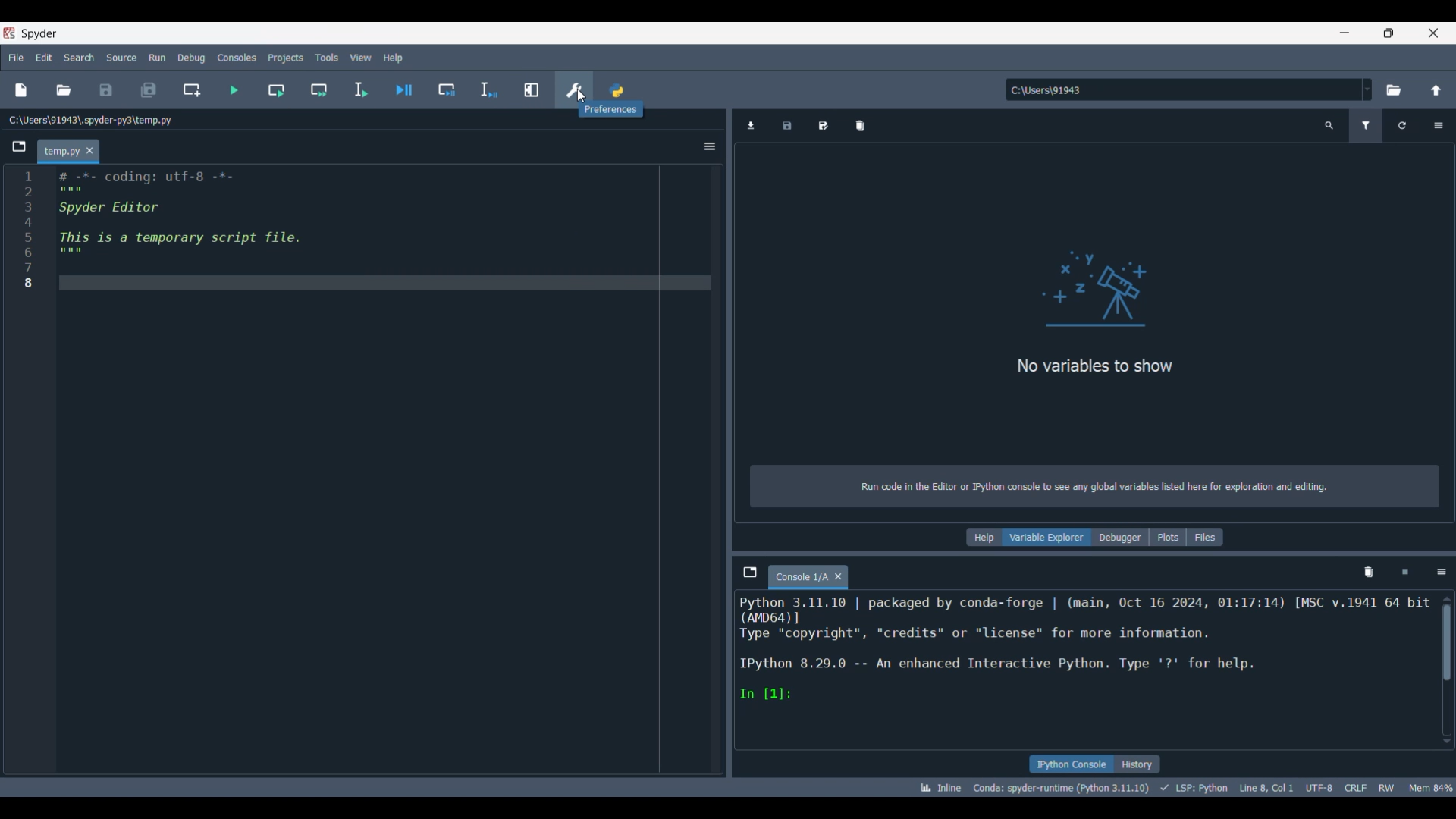 The height and width of the screenshot is (819, 1456). What do you see at coordinates (710, 147) in the screenshot?
I see `Options` at bounding box center [710, 147].